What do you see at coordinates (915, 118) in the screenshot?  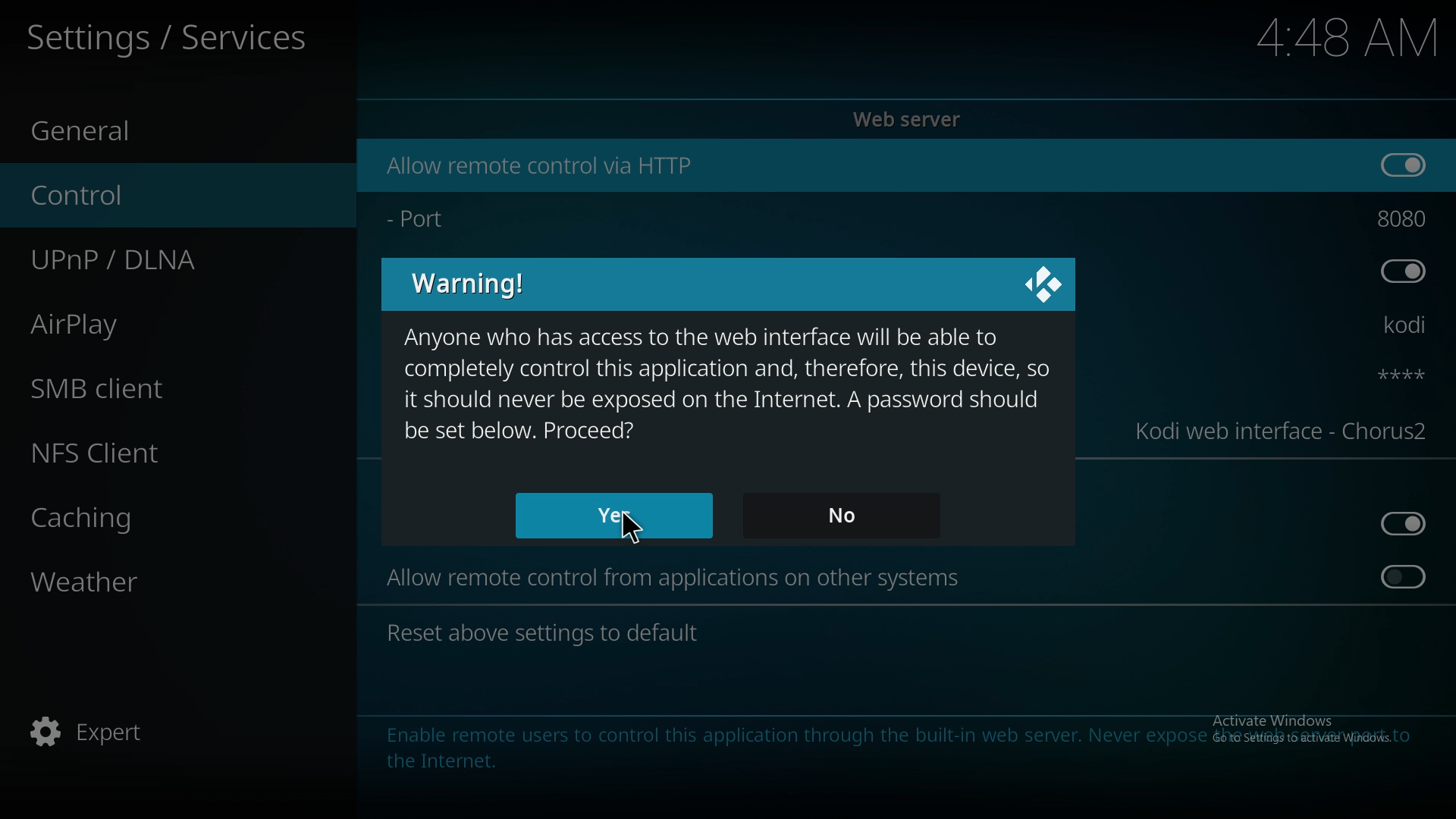 I see `web server` at bounding box center [915, 118].